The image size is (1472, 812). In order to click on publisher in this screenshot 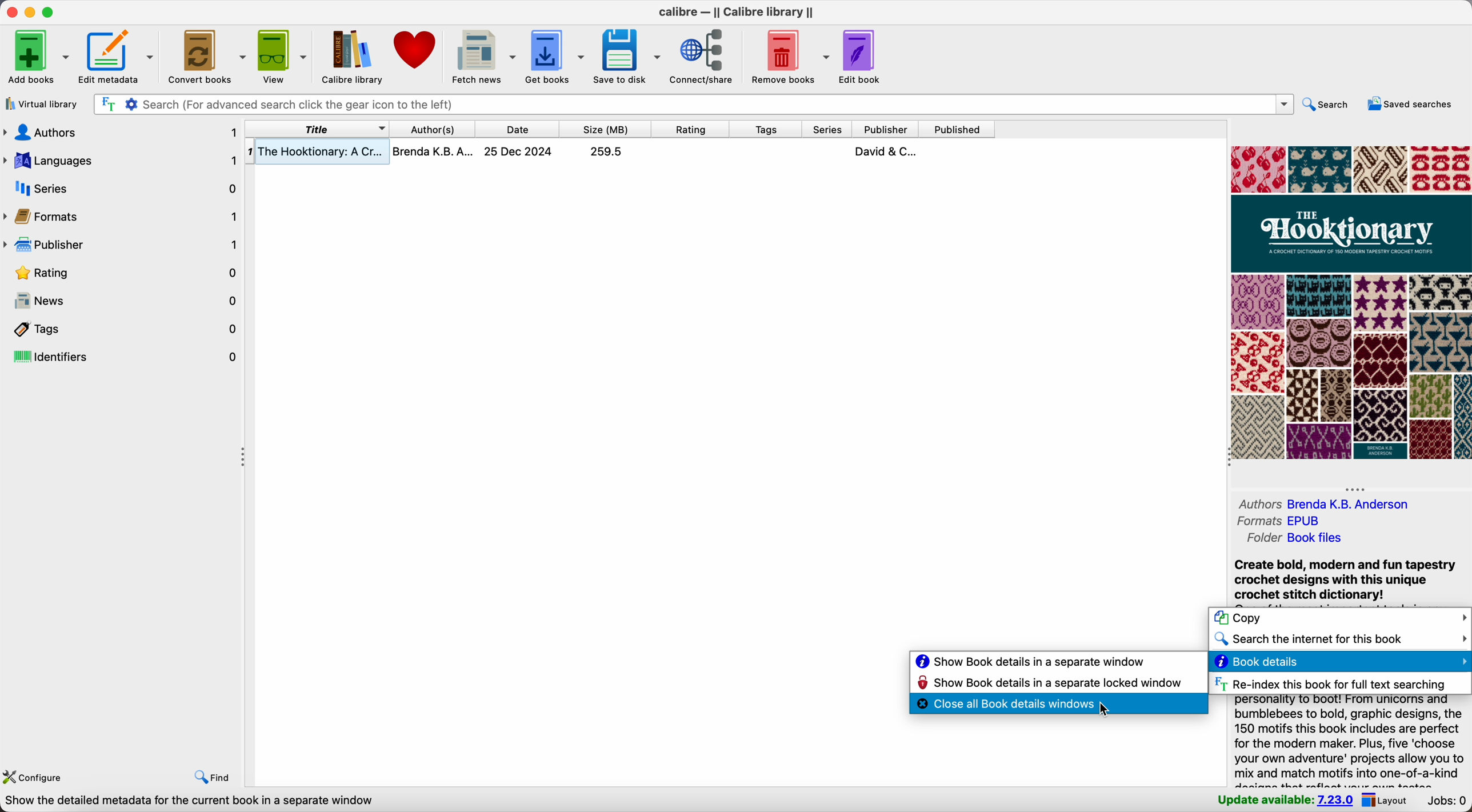, I will do `click(123, 247)`.